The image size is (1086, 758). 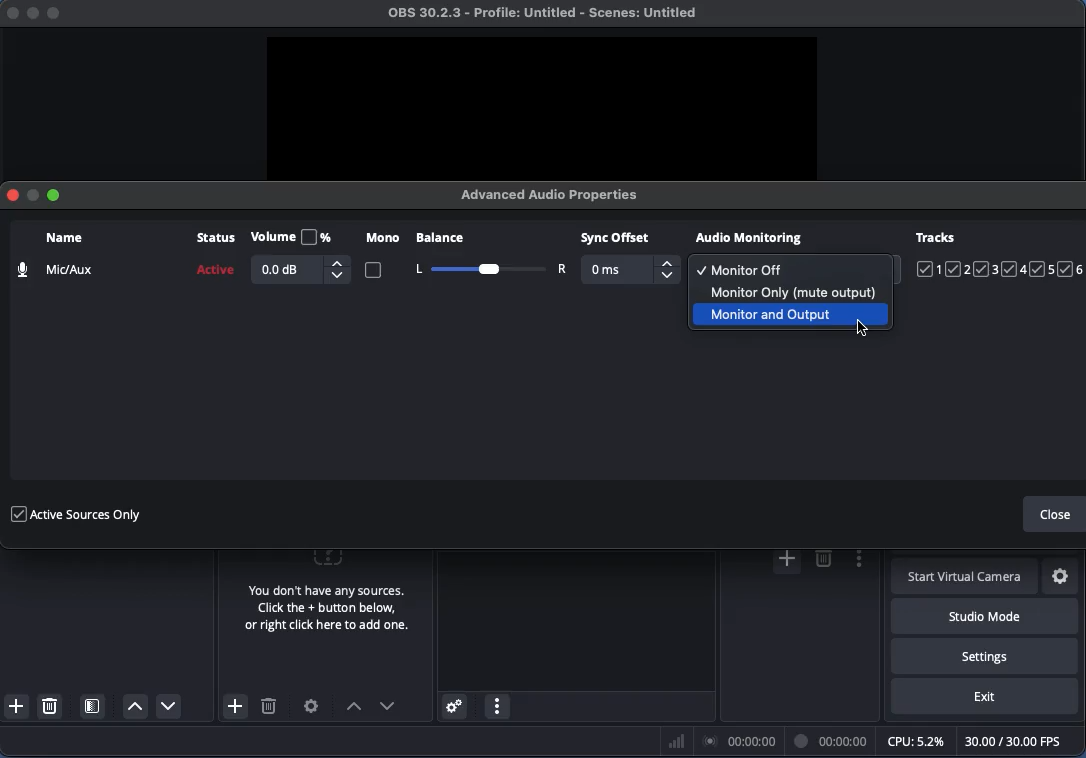 What do you see at coordinates (677, 741) in the screenshot?
I see `Bars` at bounding box center [677, 741].